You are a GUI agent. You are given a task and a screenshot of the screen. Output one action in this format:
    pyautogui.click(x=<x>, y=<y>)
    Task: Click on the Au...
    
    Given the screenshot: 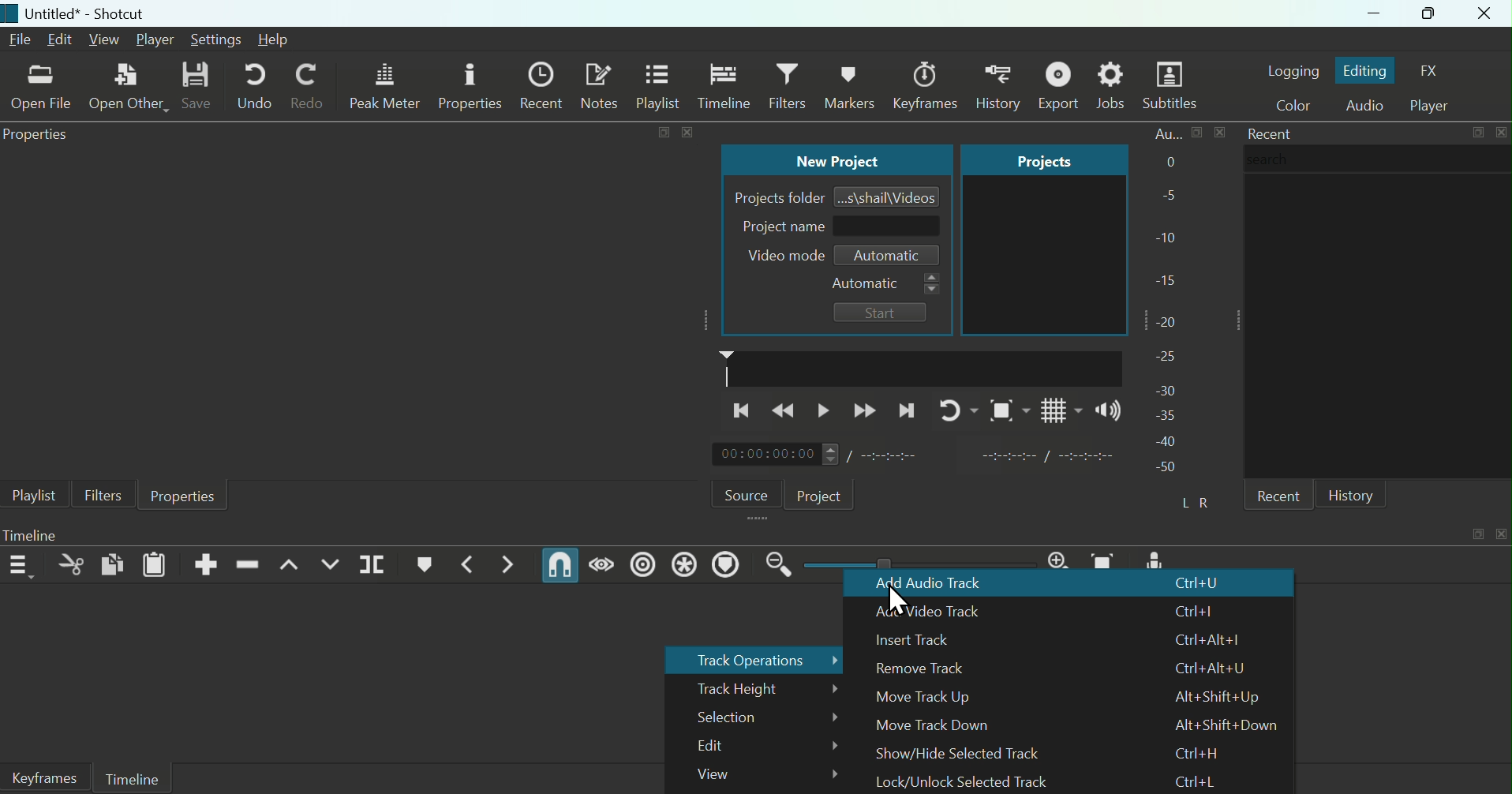 What is the action you would take?
    pyautogui.click(x=1162, y=133)
    